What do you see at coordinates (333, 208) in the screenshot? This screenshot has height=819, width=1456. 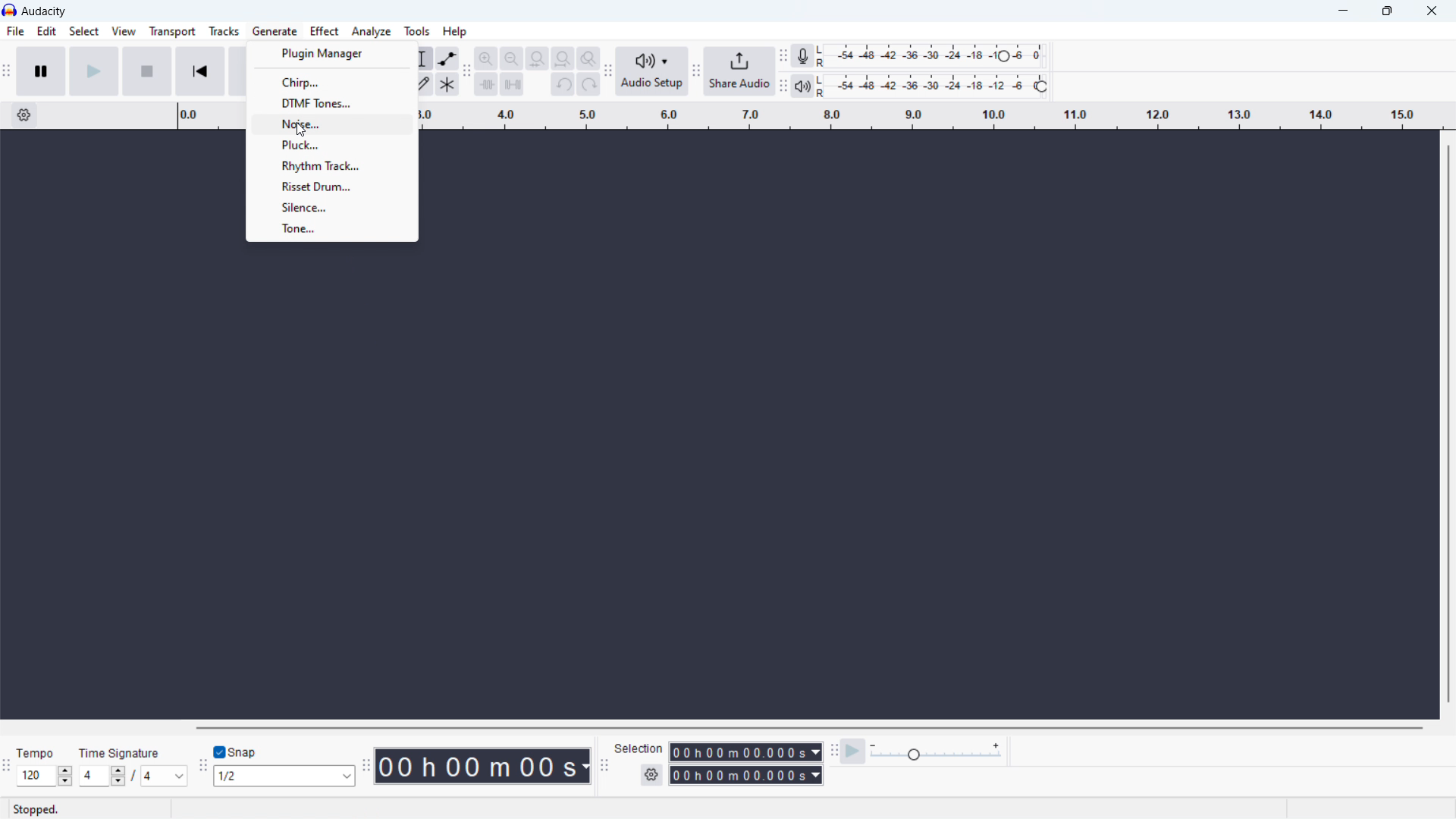 I see `silence` at bounding box center [333, 208].